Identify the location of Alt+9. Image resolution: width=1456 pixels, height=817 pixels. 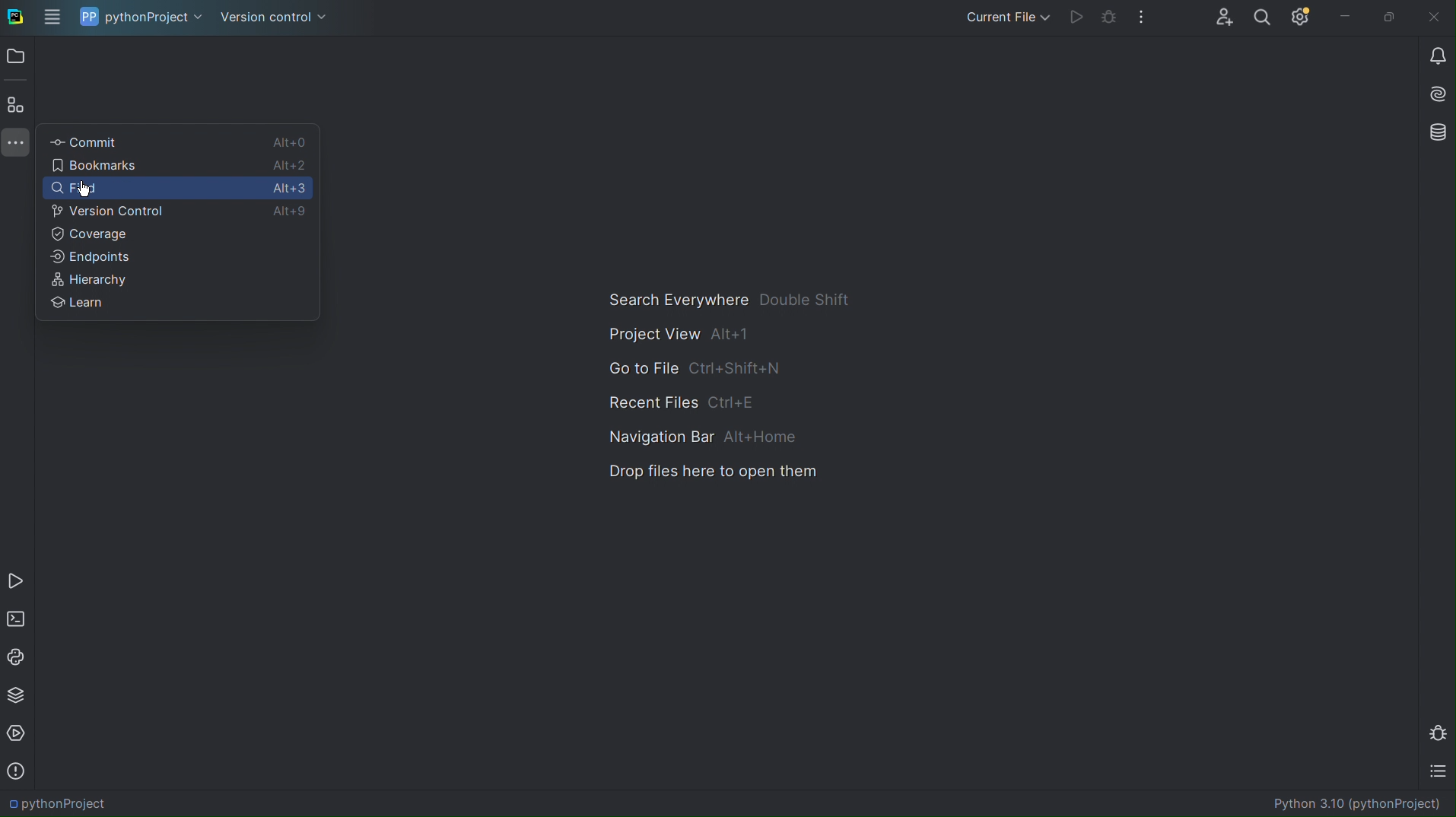
(294, 209).